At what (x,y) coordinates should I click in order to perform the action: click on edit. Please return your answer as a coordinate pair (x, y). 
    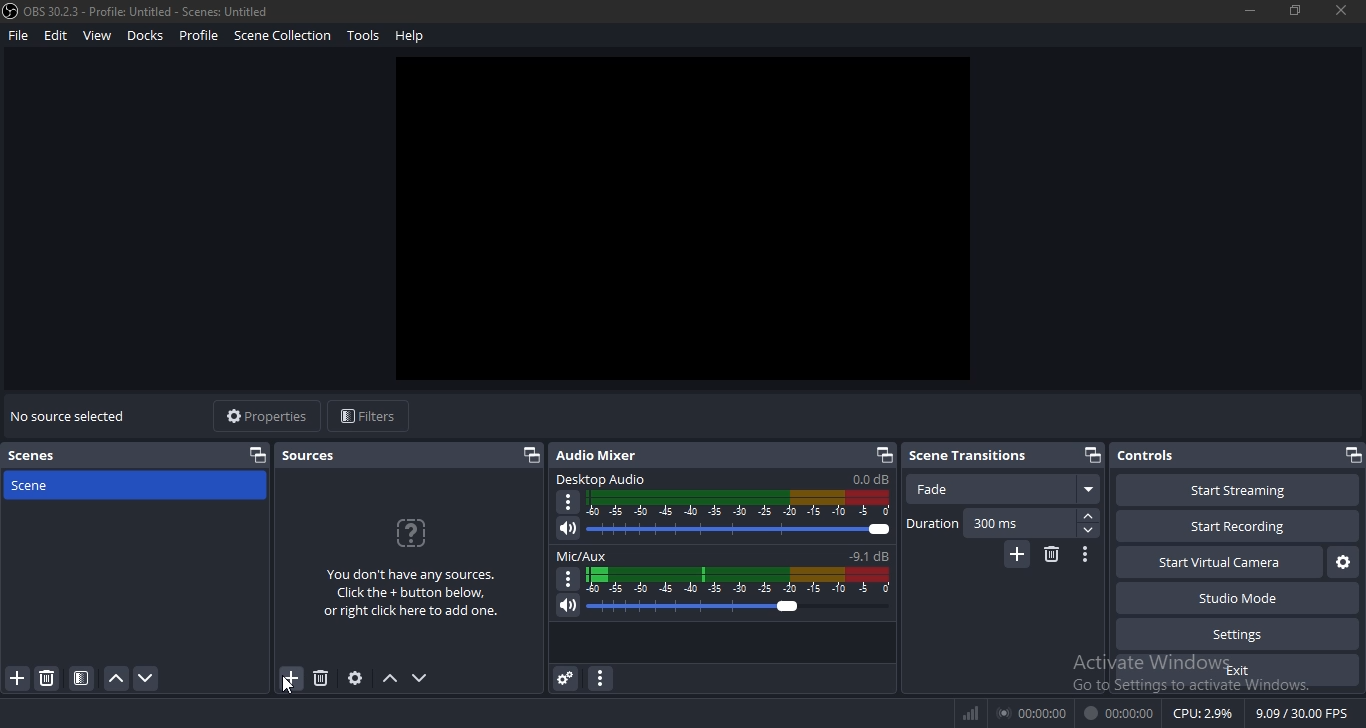
    Looking at the image, I should click on (56, 36).